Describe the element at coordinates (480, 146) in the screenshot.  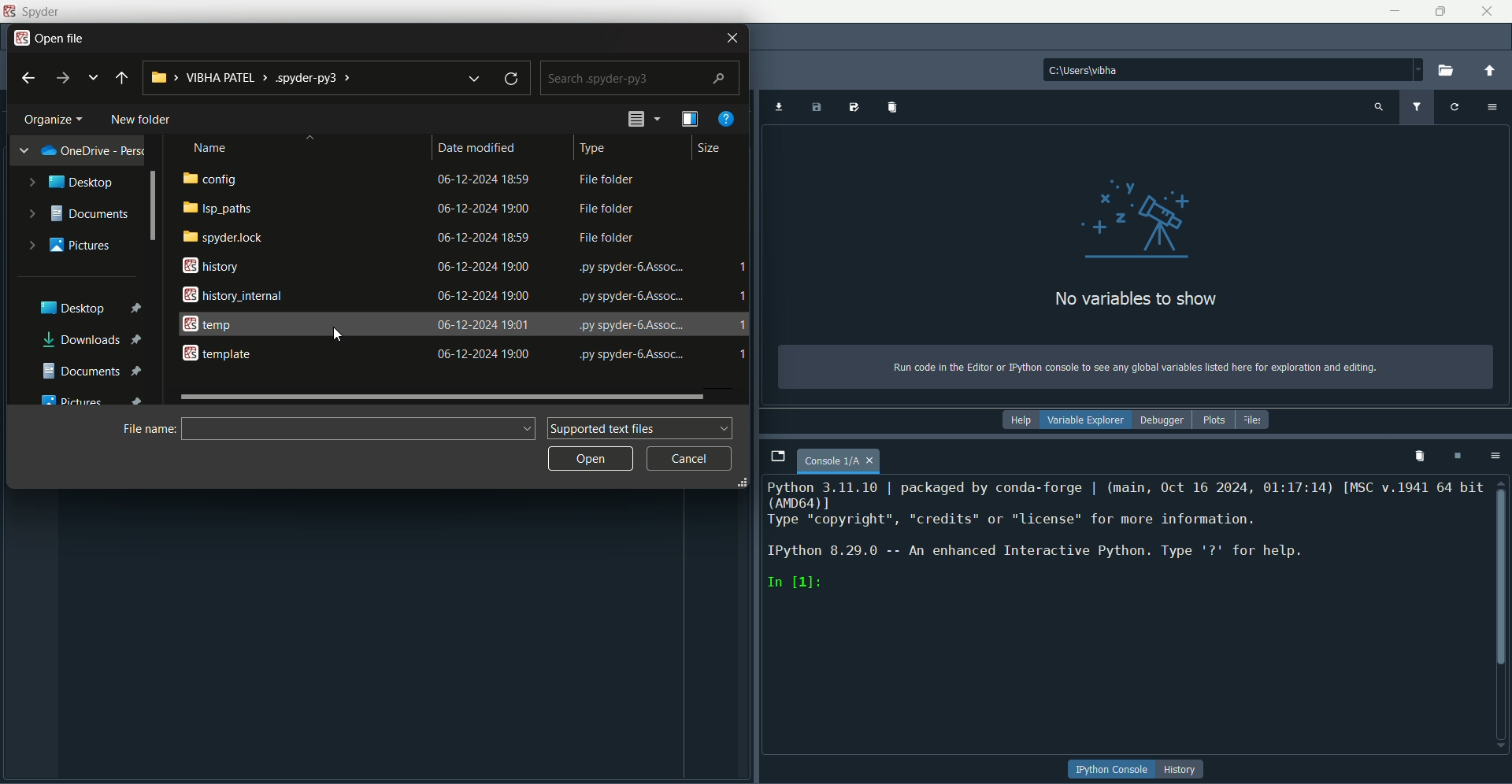
I see `date modified` at that location.